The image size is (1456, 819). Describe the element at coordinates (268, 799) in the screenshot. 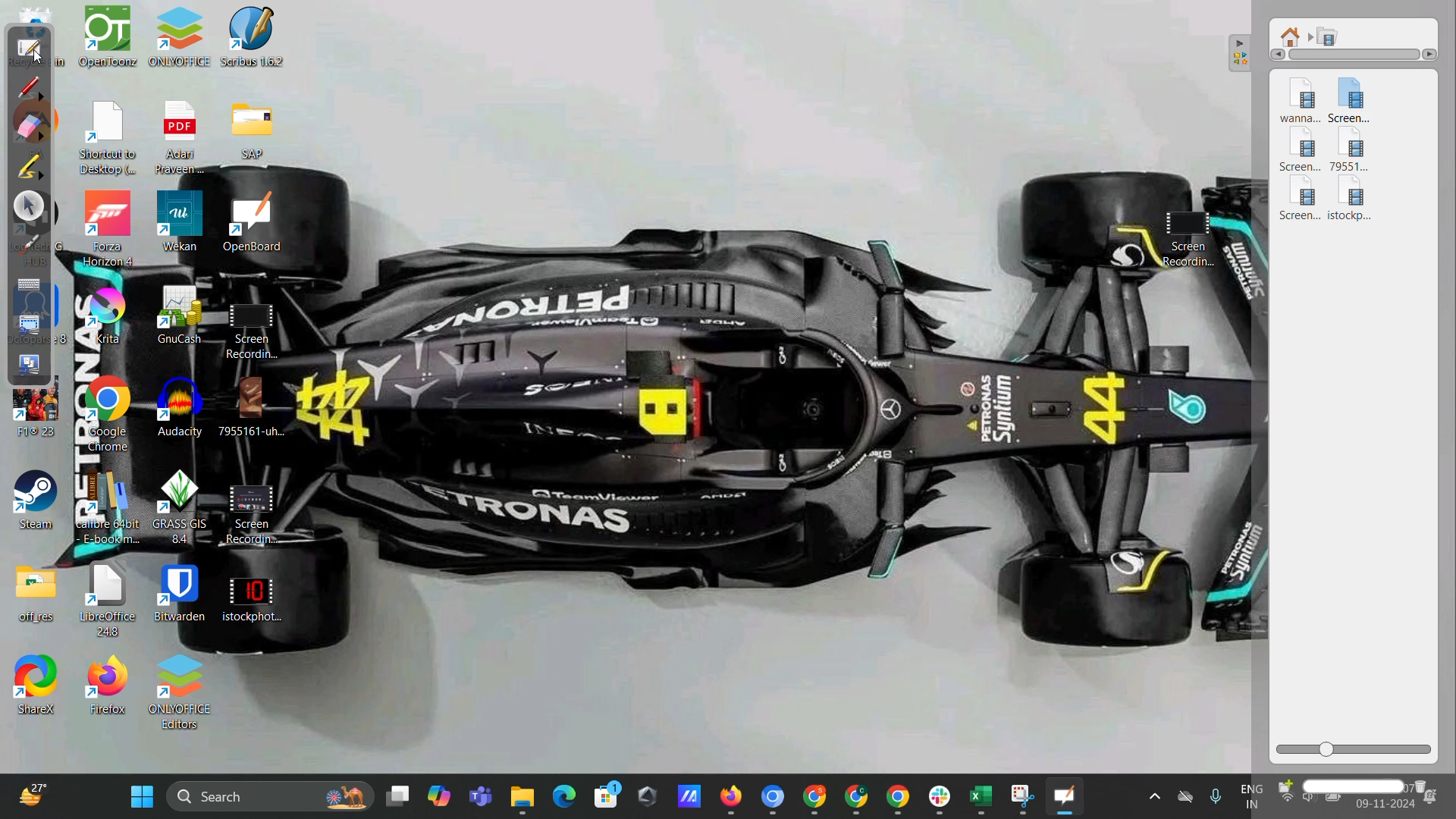

I see `desktop search` at that location.